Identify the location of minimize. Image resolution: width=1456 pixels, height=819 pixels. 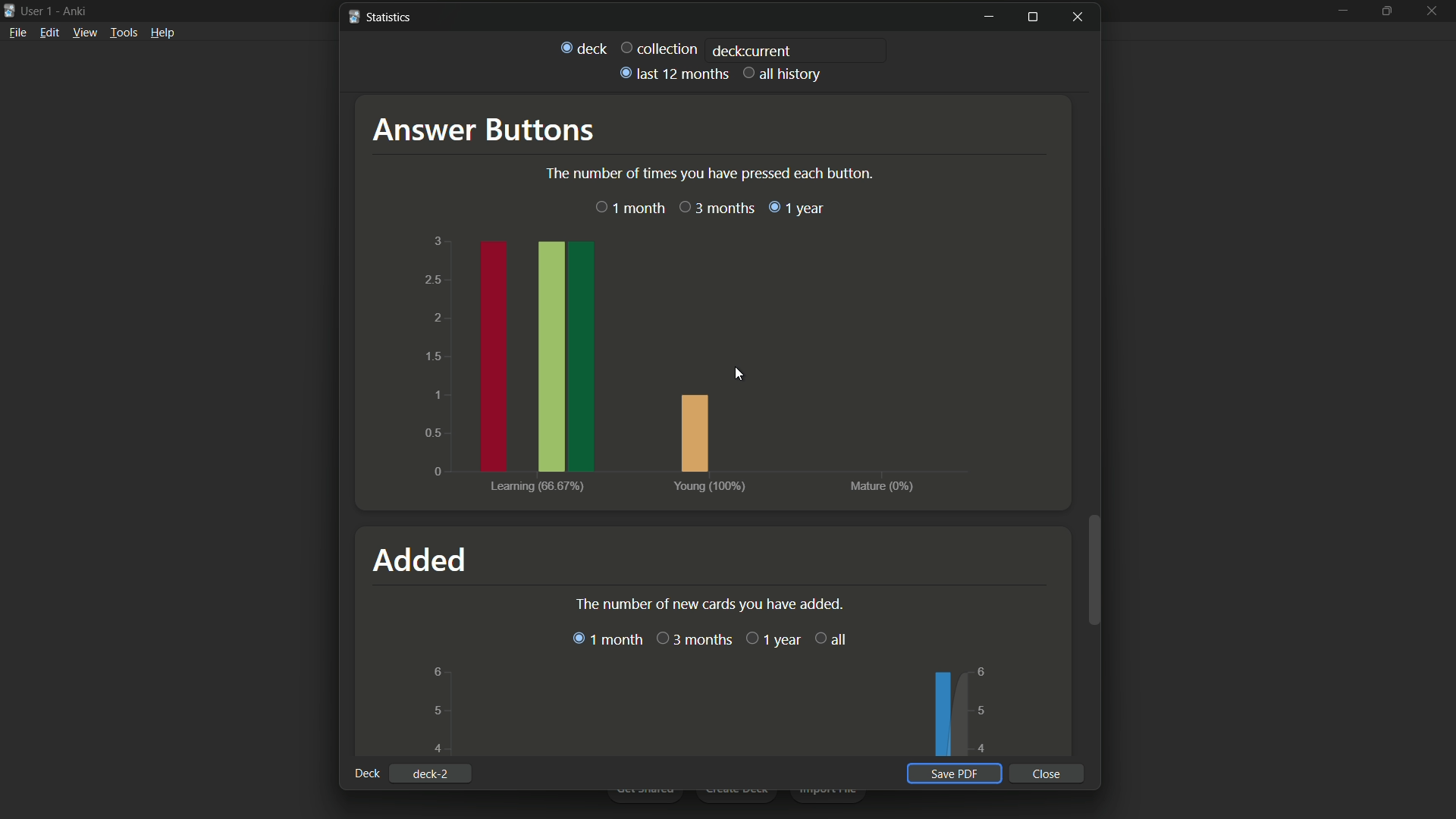
(1339, 17).